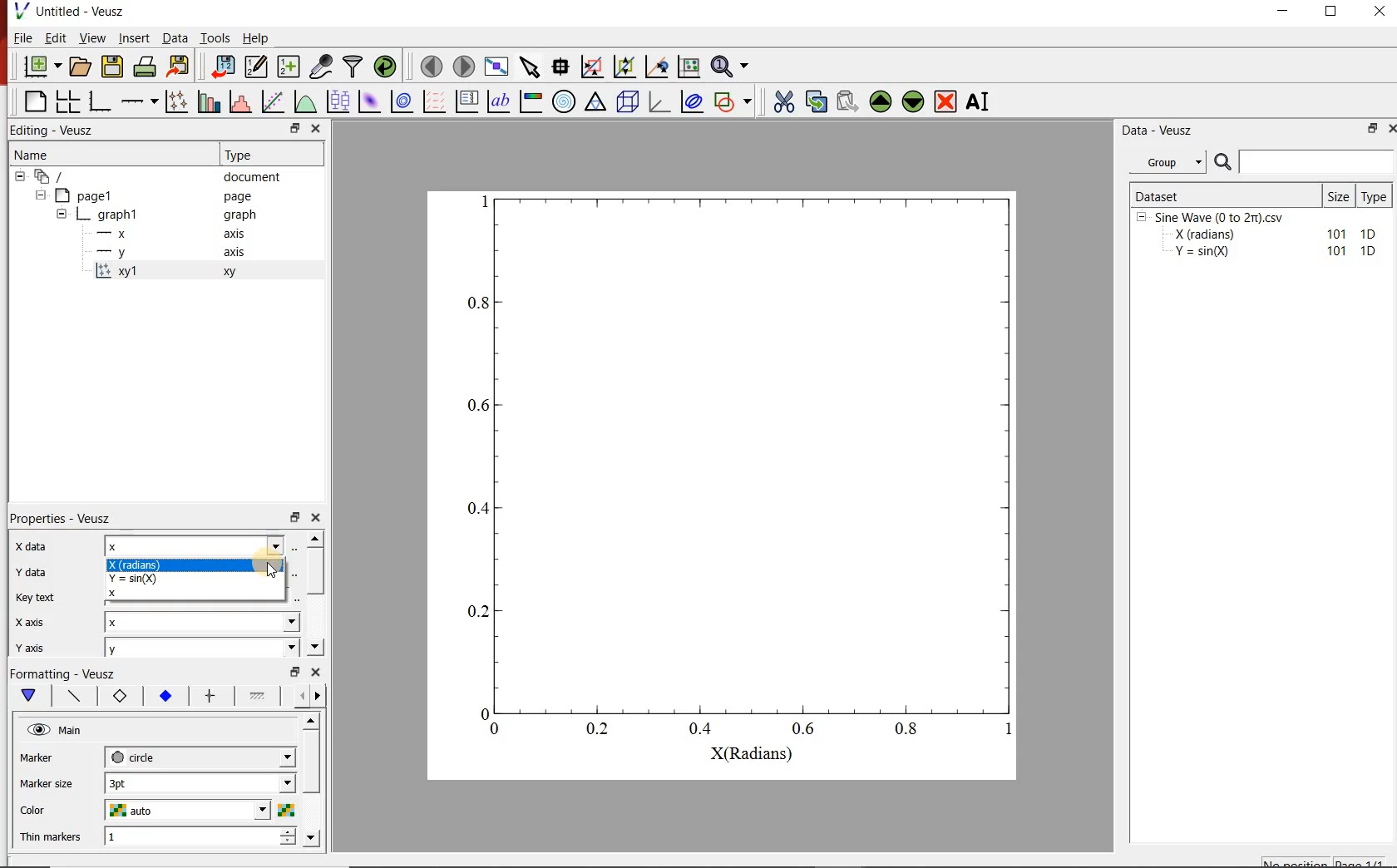 Image resolution: width=1397 pixels, height=868 pixels. What do you see at coordinates (435, 101) in the screenshot?
I see `plot a vector field` at bounding box center [435, 101].